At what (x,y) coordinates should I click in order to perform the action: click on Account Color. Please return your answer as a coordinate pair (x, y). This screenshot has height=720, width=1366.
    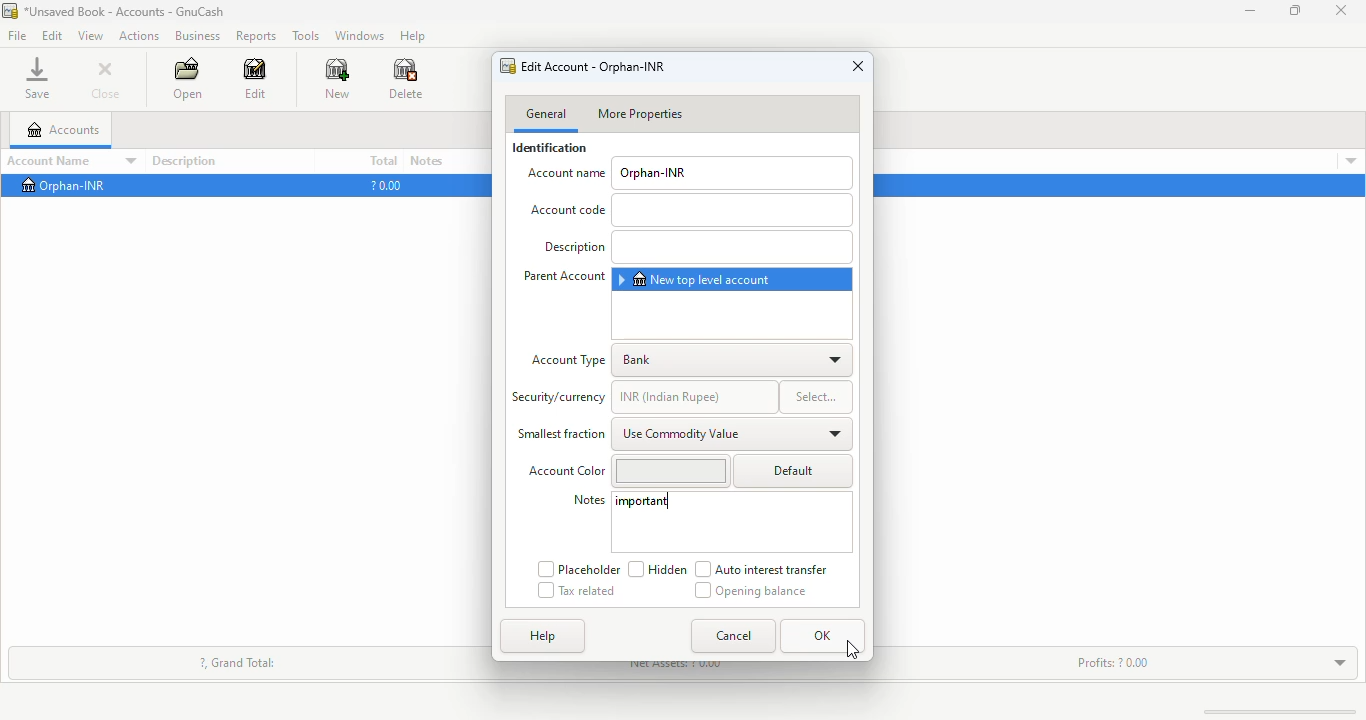
    Looking at the image, I should click on (564, 472).